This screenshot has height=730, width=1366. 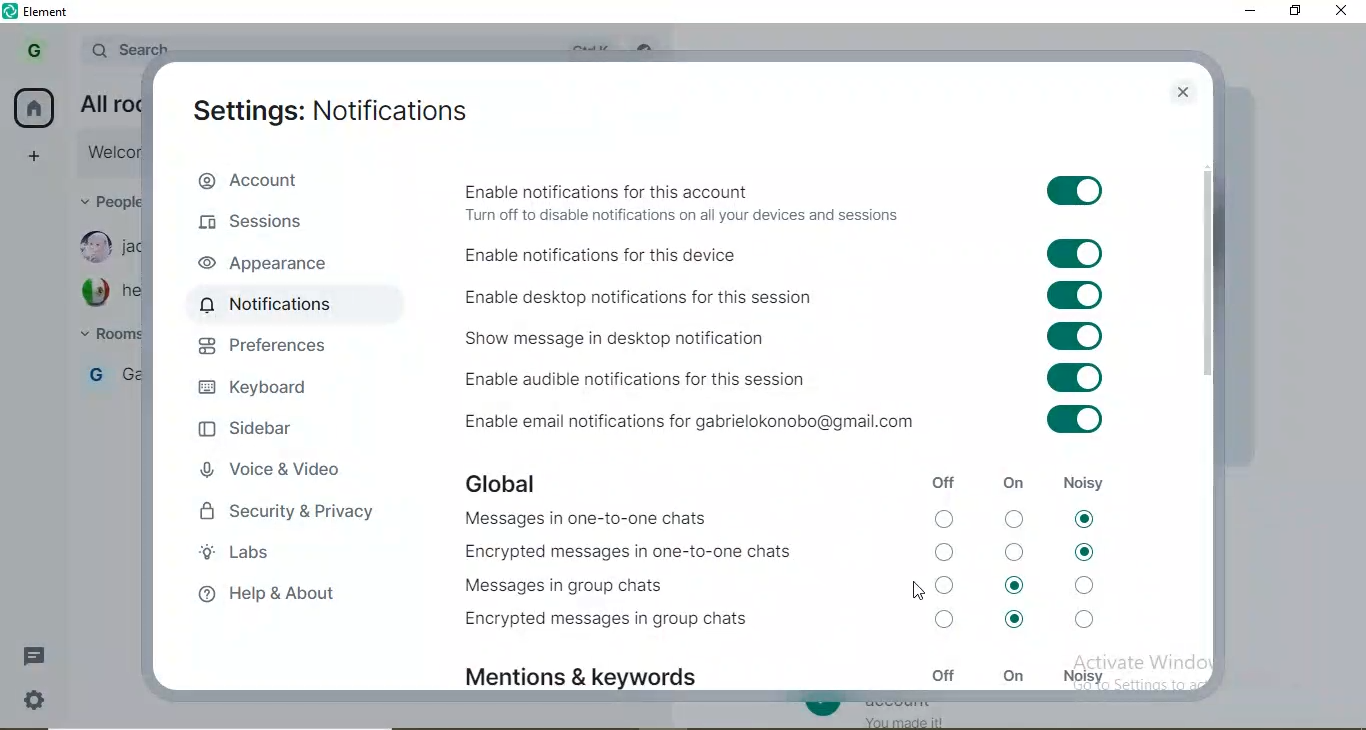 I want to click on toggle, so click(x=1066, y=337).